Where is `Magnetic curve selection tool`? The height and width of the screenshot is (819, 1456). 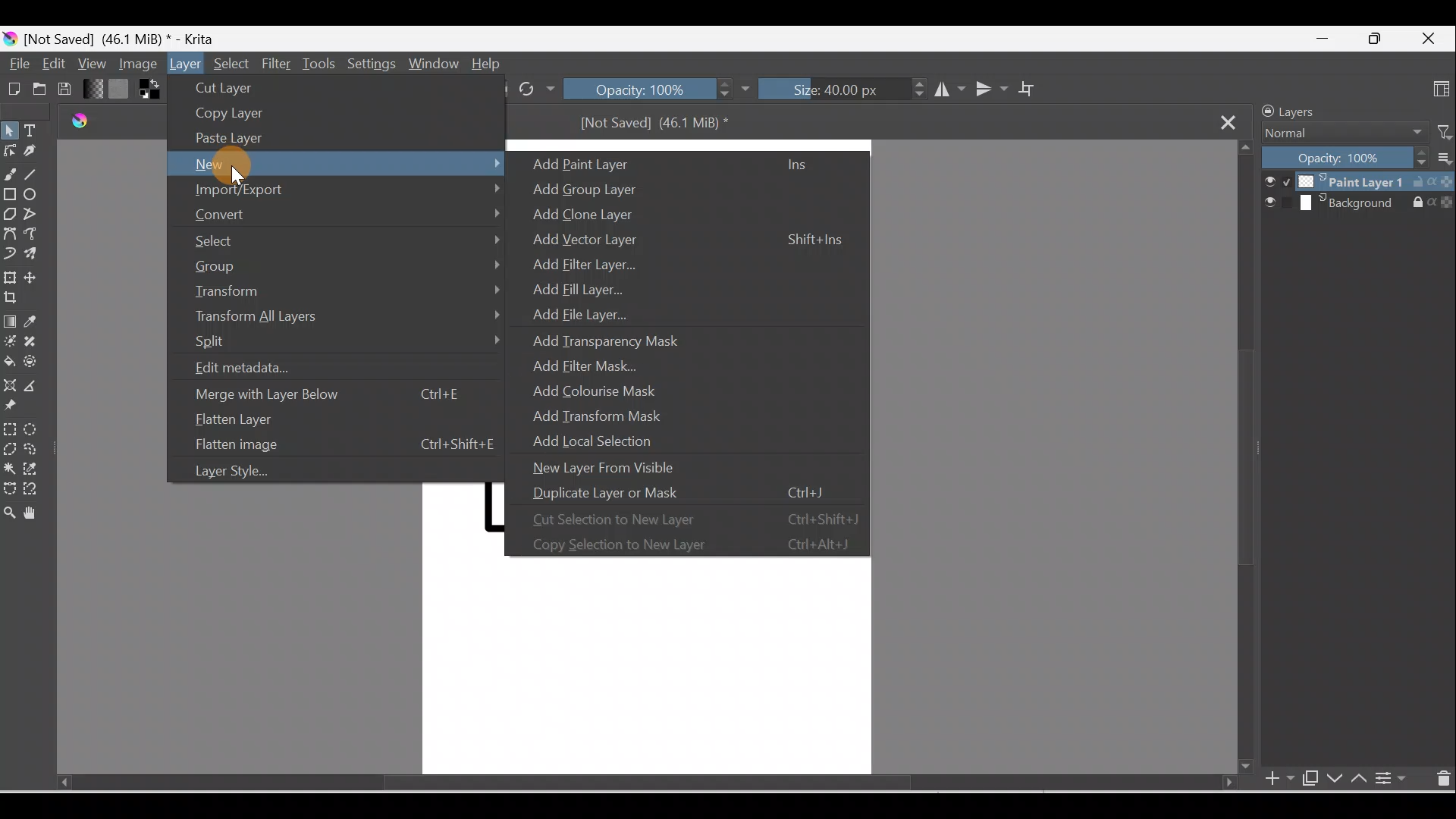 Magnetic curve selection tool is located at coordinates (31, 489).